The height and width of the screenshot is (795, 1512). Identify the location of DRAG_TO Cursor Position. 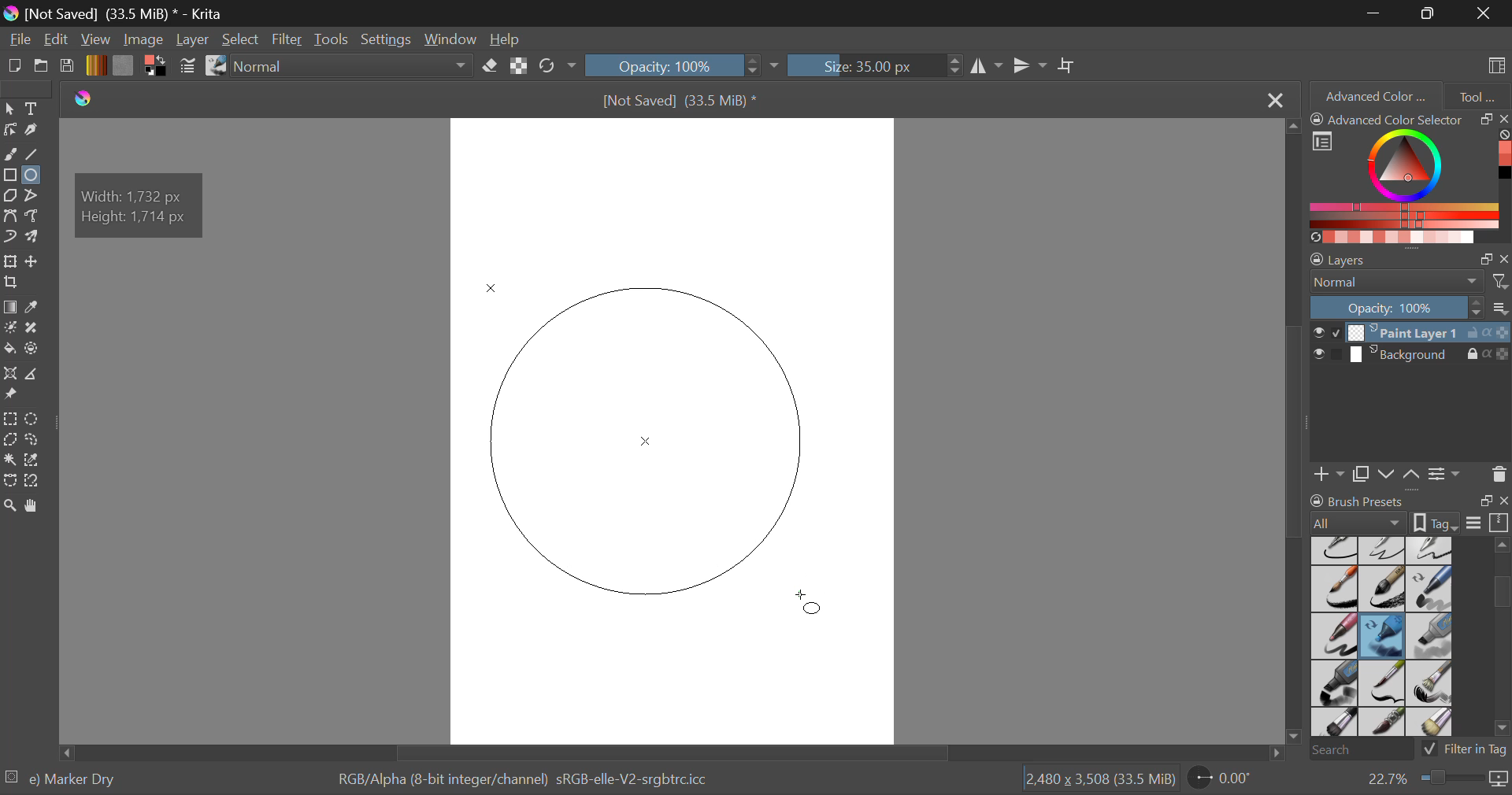
(809, 602).